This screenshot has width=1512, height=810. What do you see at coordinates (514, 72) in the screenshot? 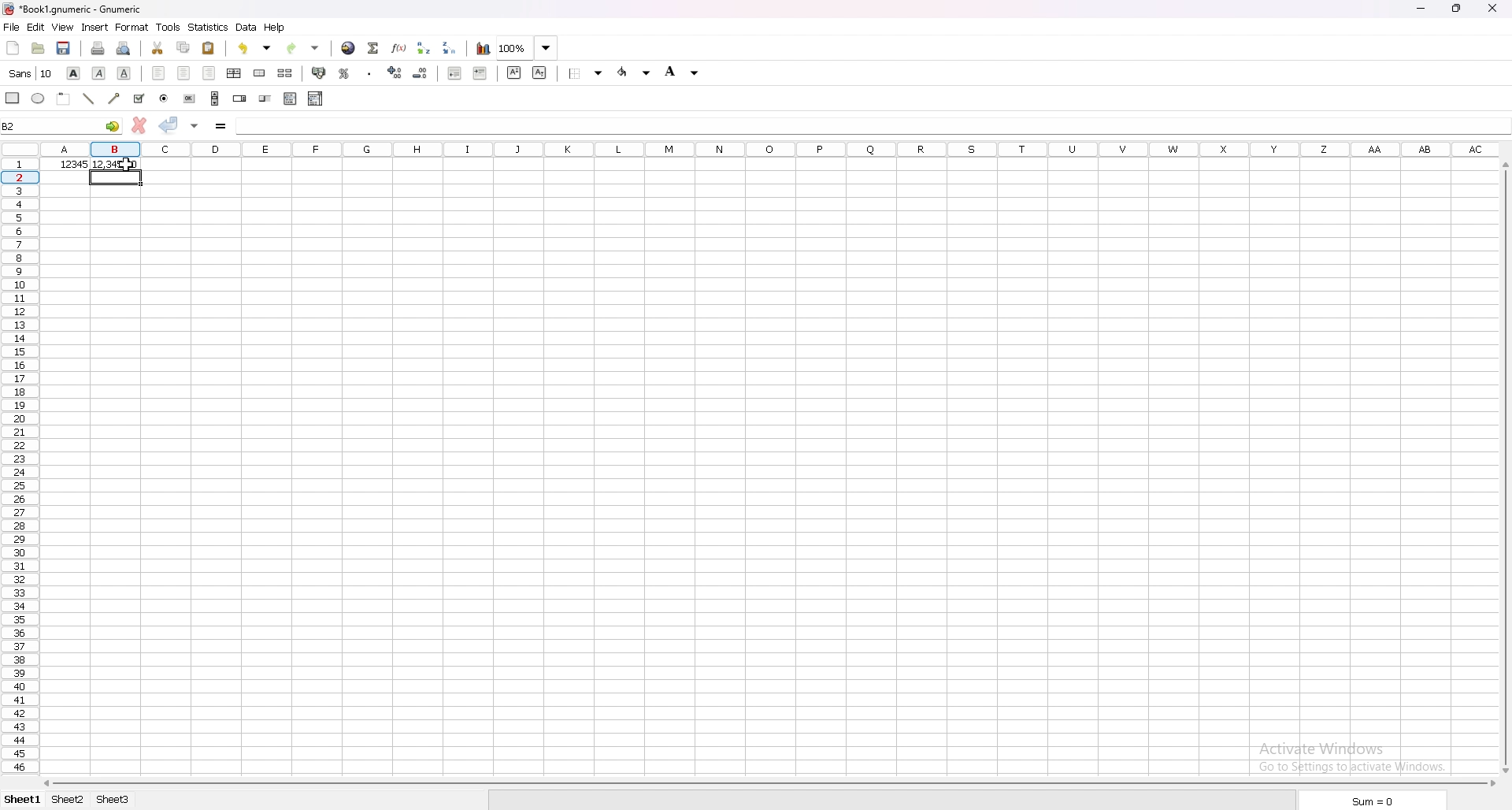
I see `superscript` at bounding box center [514, 72].